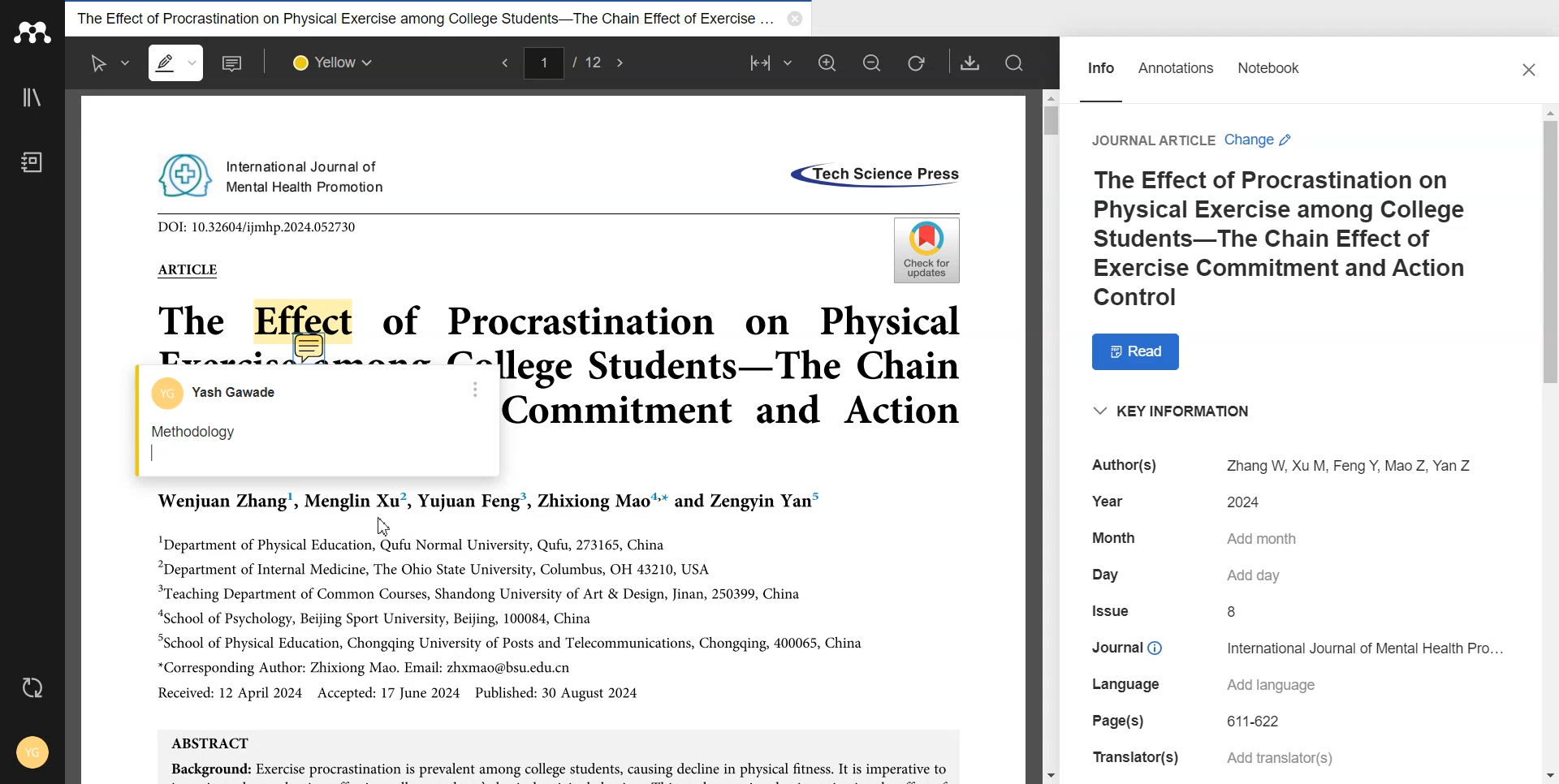 Image resolution: width=1559 pixels, height=784 pixels. What do you see at coordinates (301, 316) in the screenshot?
I see `Effect` at bounding box center [301, 316].